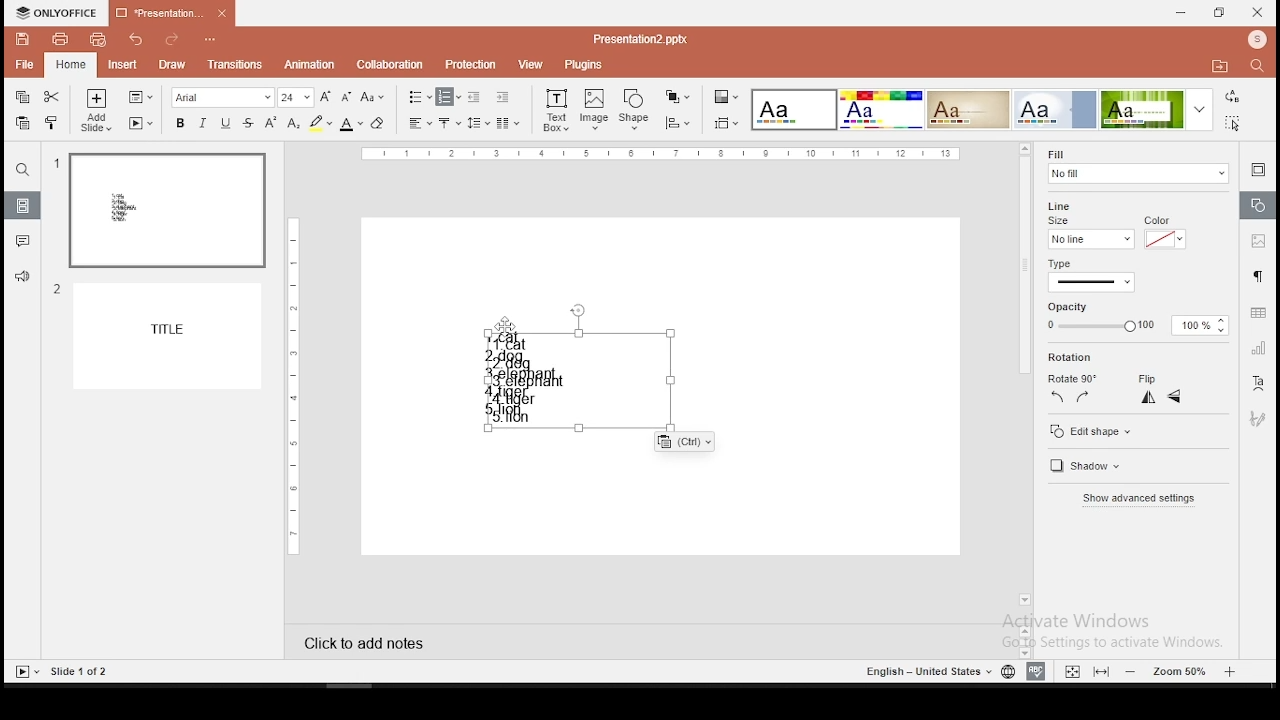  What do you see at coordinates (1055, 109) in the screenshot?
I see `theme` at bounding box center [1055, 109].